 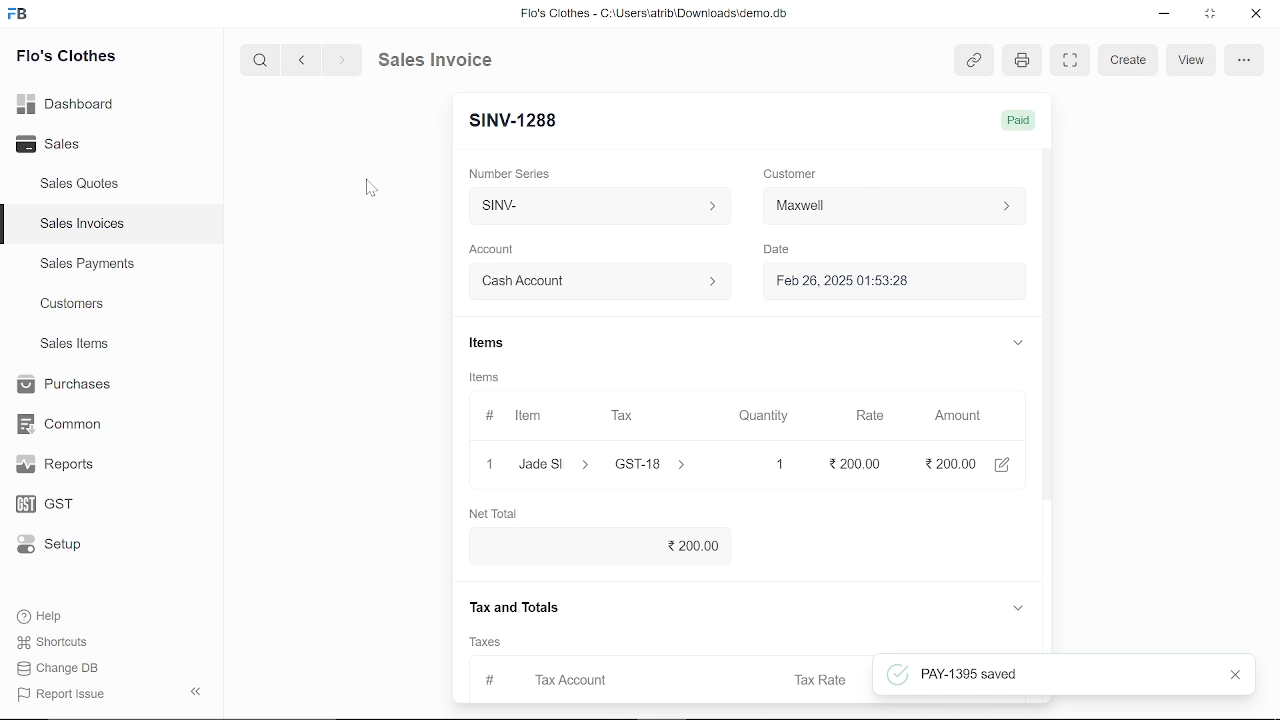 What do you see at coordinates (1129, 61) in the screenshot?
I see `Create` at bounding box center [1129, 61].